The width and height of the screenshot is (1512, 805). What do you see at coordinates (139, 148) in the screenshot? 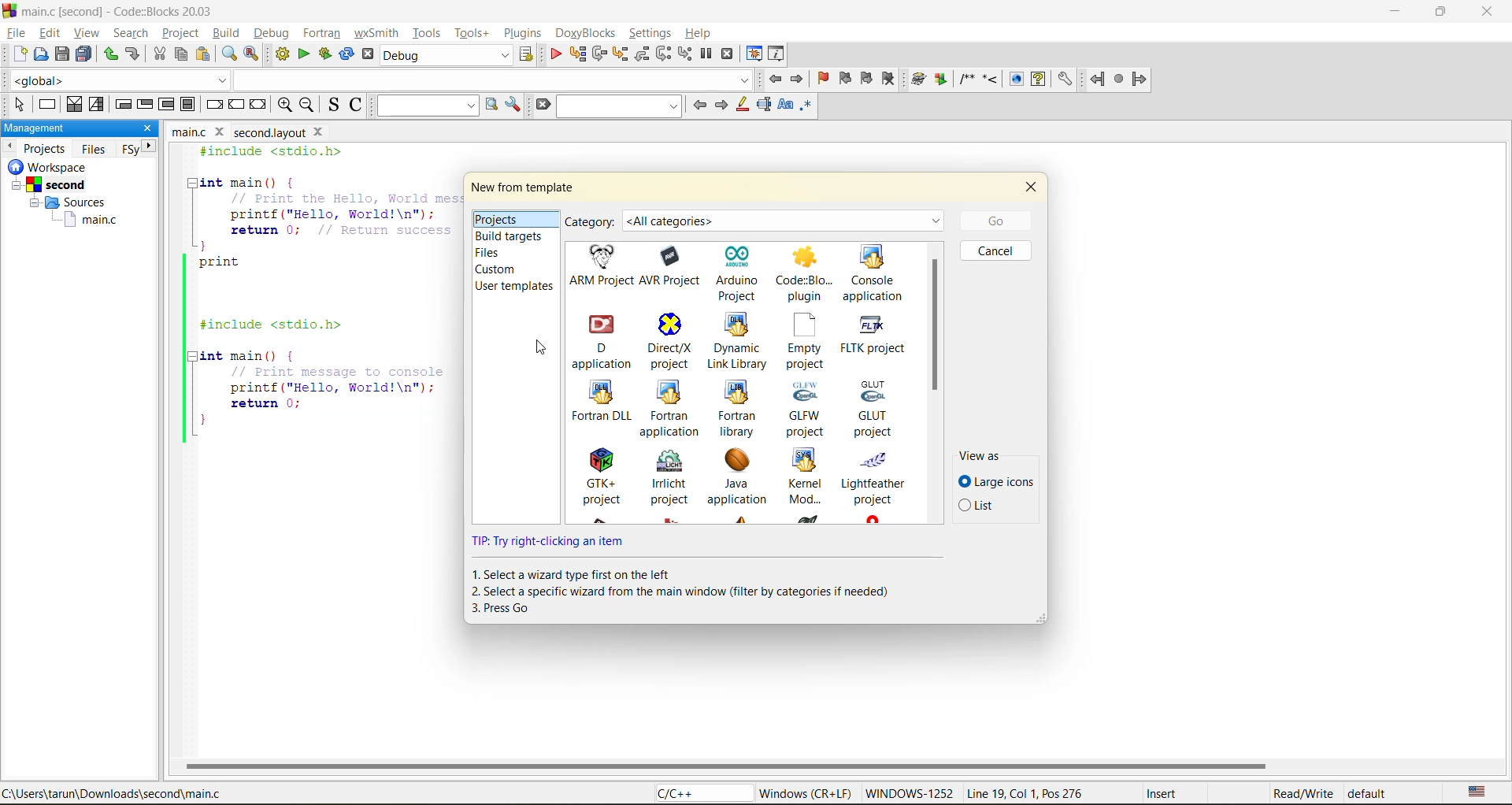
I see `FSy next` at bounding box center [139, 148].